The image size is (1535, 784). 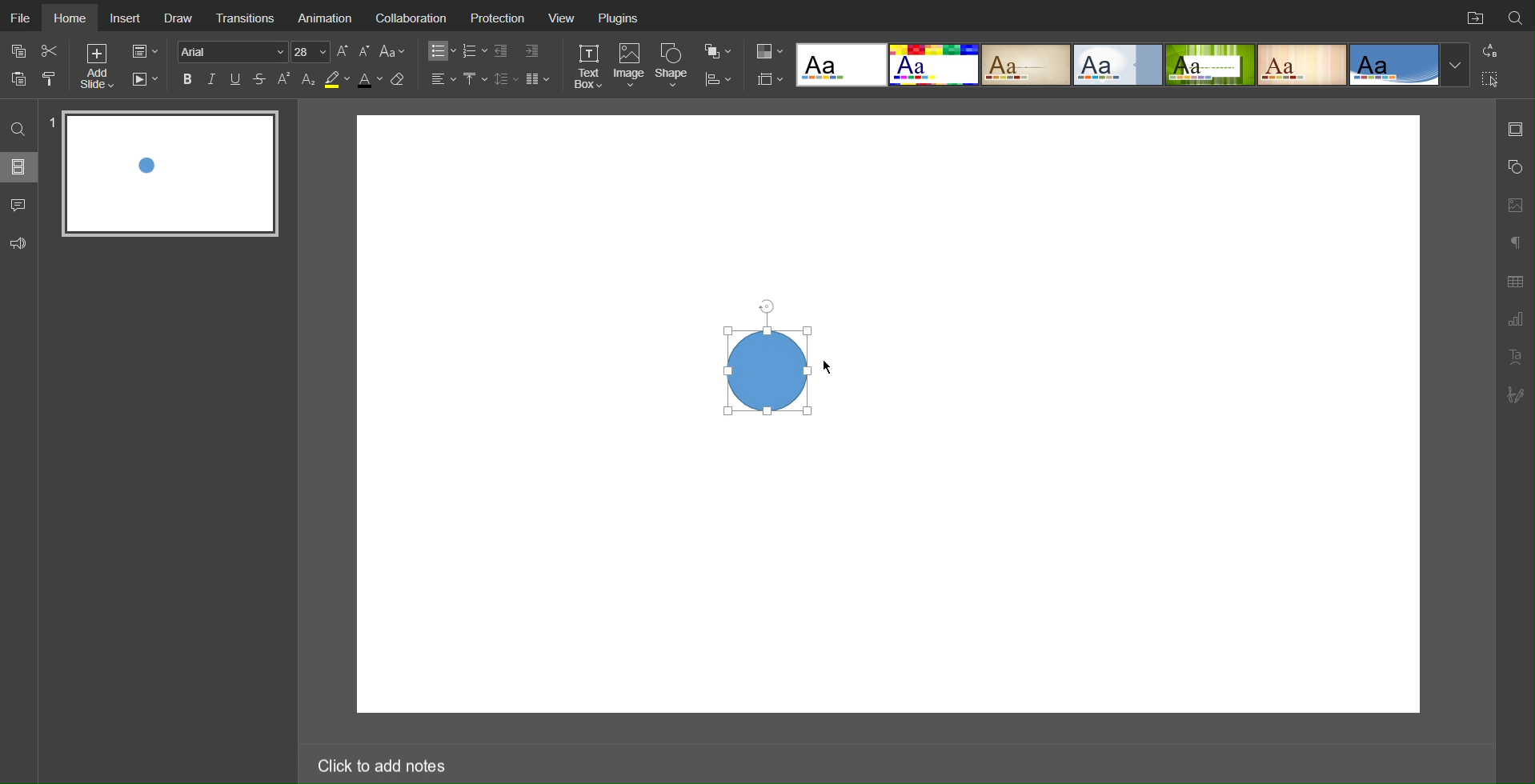 What do you see at coordinates (1515, 320) in the screenshot?
I see `Paragraph Settings` at bounding box center [1515, 320].